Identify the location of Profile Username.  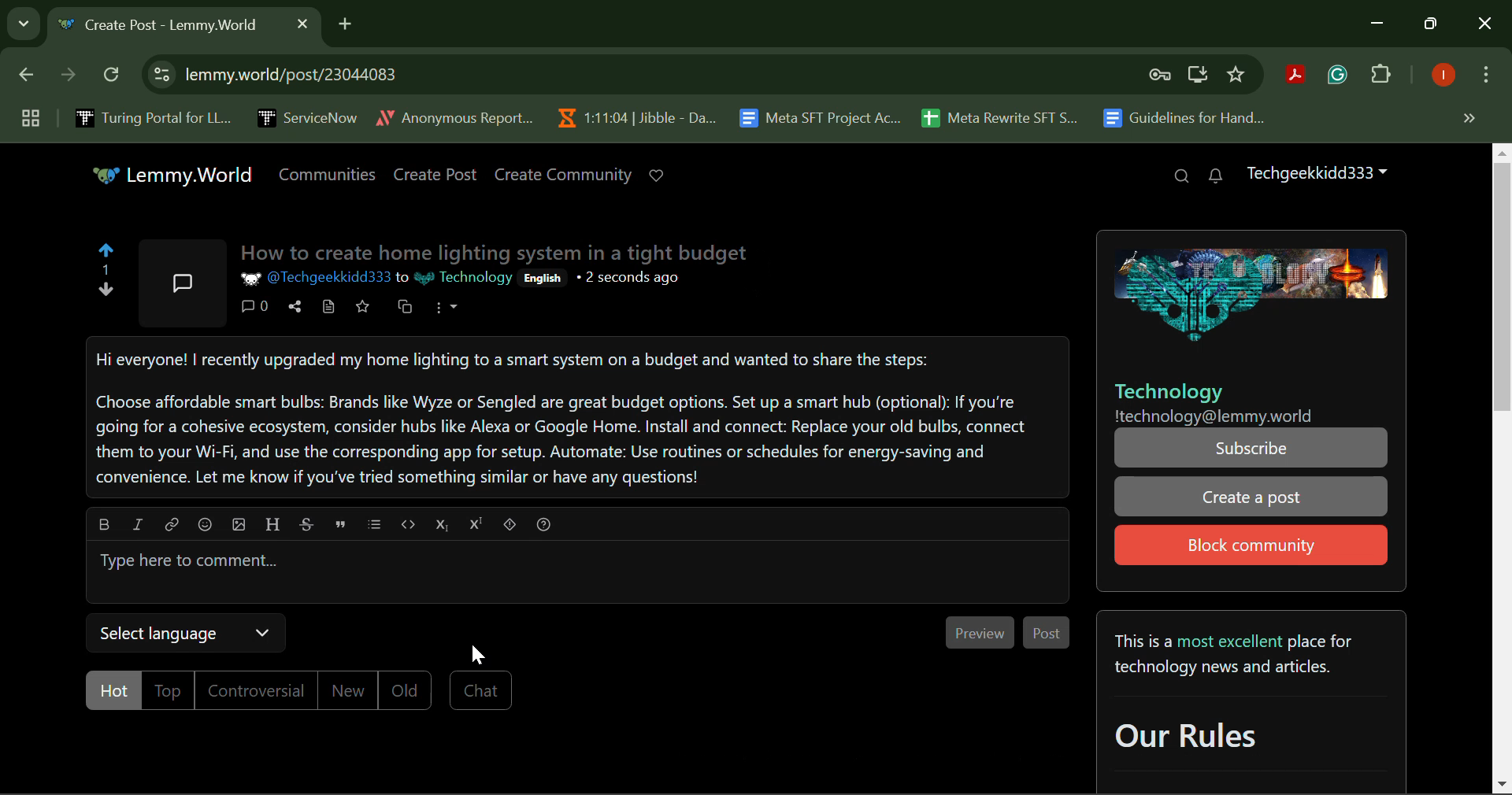
(1317, 175).